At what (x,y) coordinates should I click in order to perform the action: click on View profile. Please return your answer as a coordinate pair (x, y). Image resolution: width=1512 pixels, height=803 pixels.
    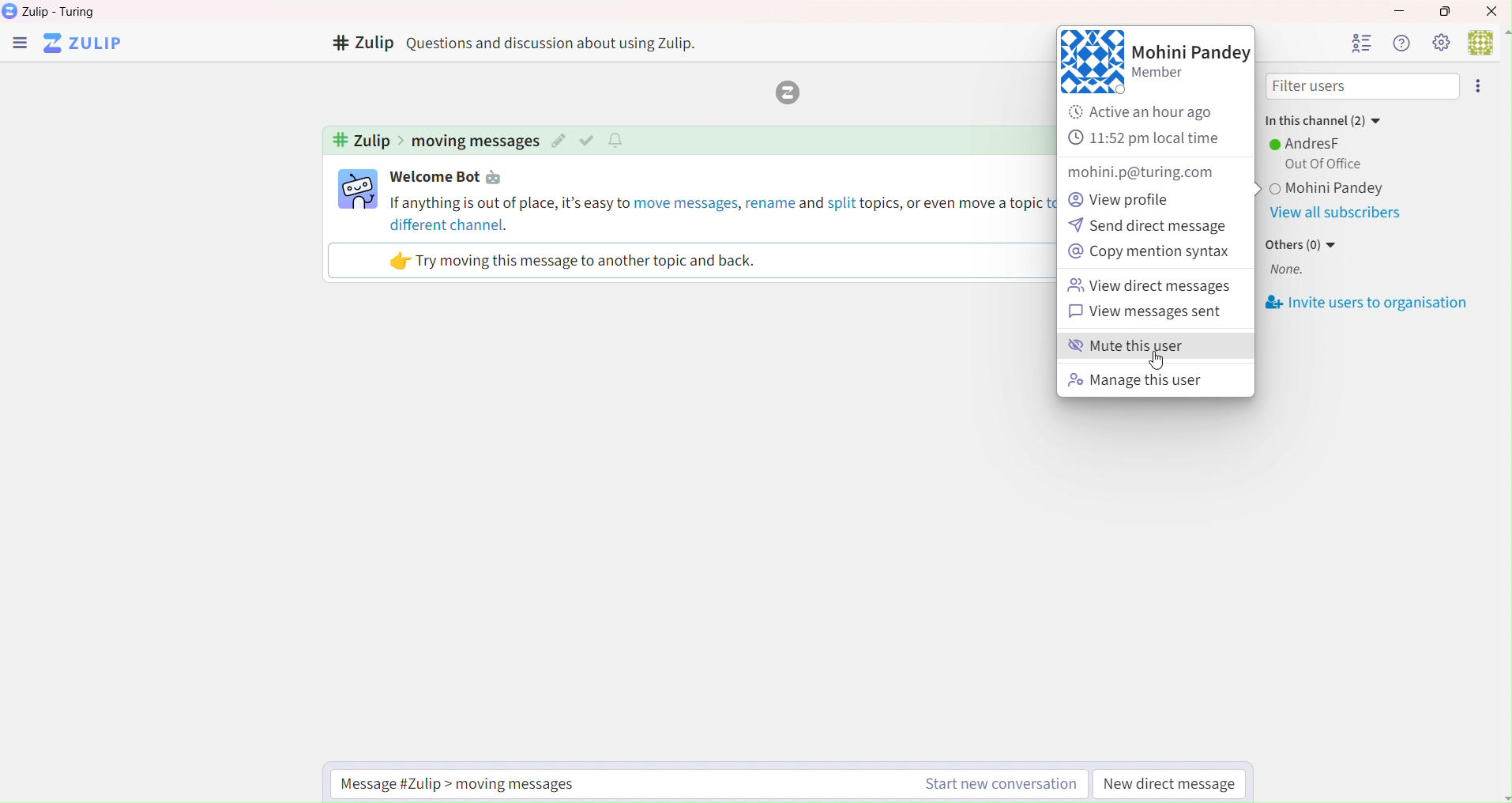
    Looking at the image, I should click on (1126, 198).